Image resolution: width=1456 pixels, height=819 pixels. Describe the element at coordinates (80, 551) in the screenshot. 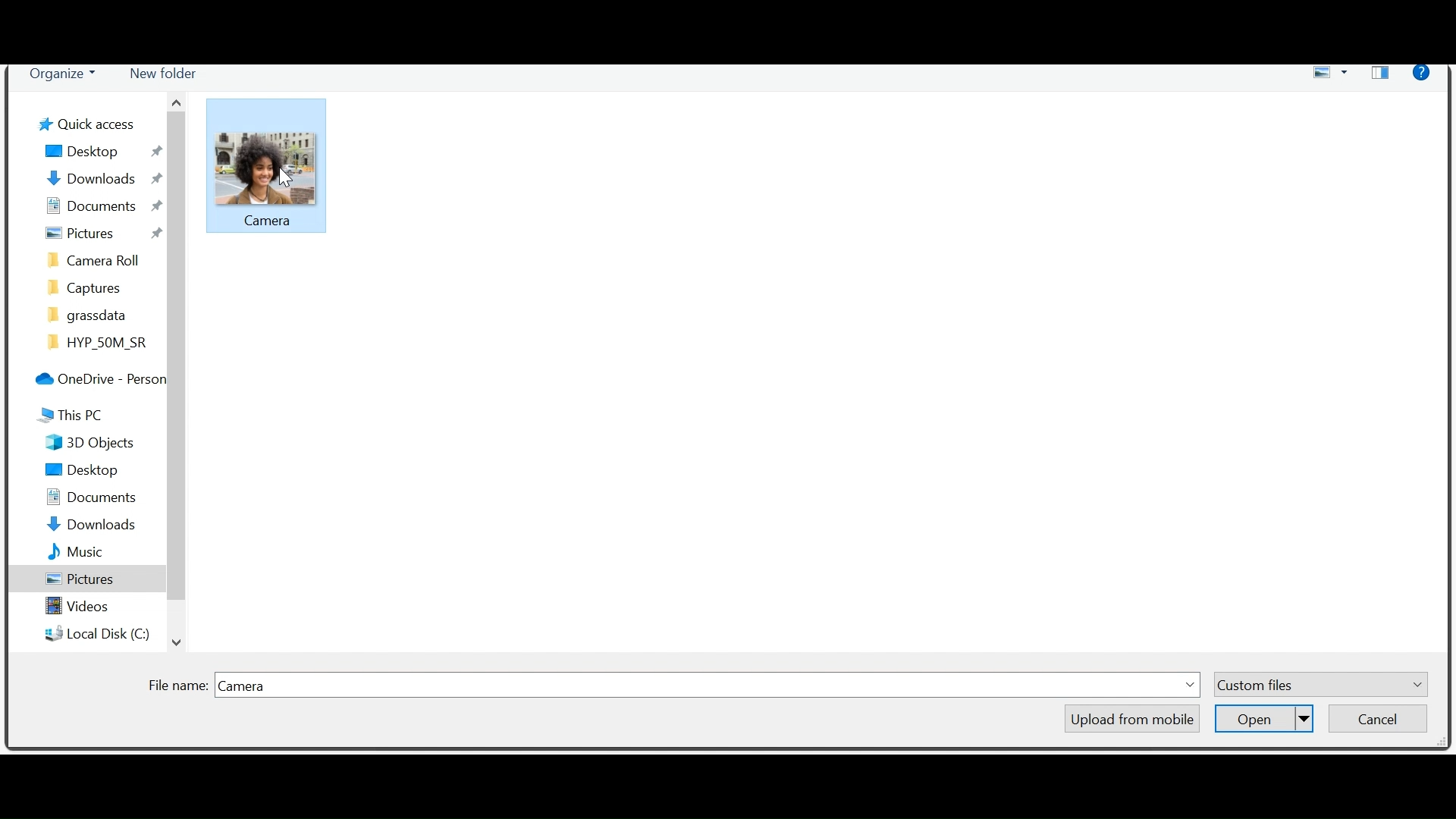

I see `Music` at that location.